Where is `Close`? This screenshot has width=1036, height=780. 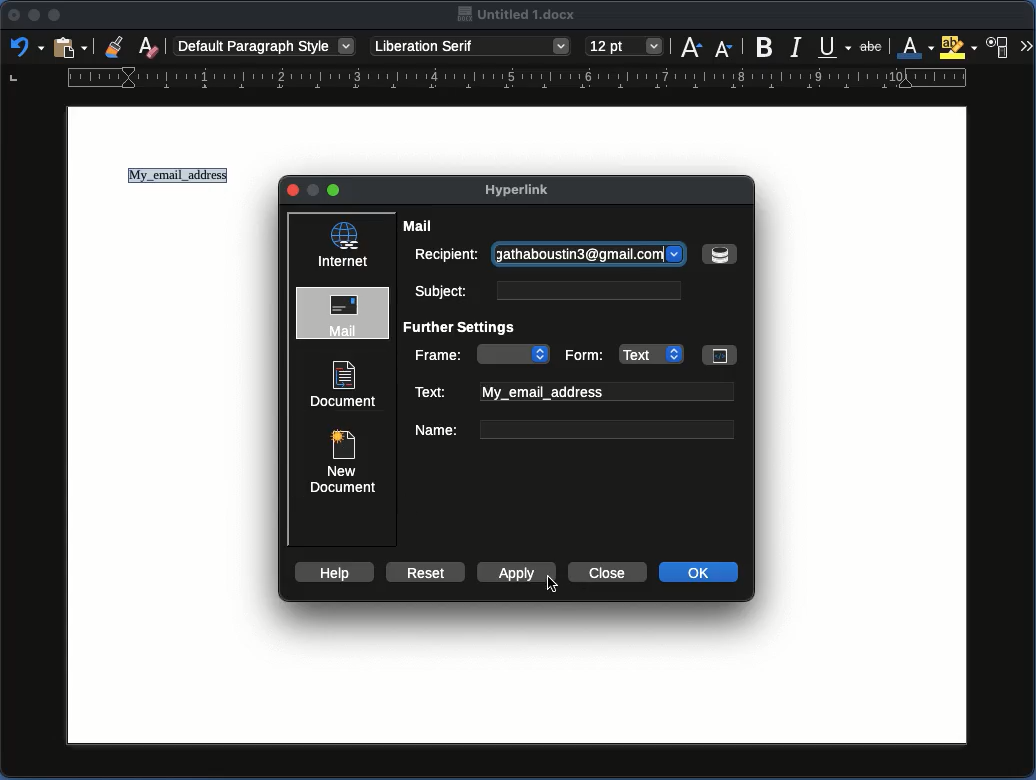
Close is located at coordinates (14, 15).